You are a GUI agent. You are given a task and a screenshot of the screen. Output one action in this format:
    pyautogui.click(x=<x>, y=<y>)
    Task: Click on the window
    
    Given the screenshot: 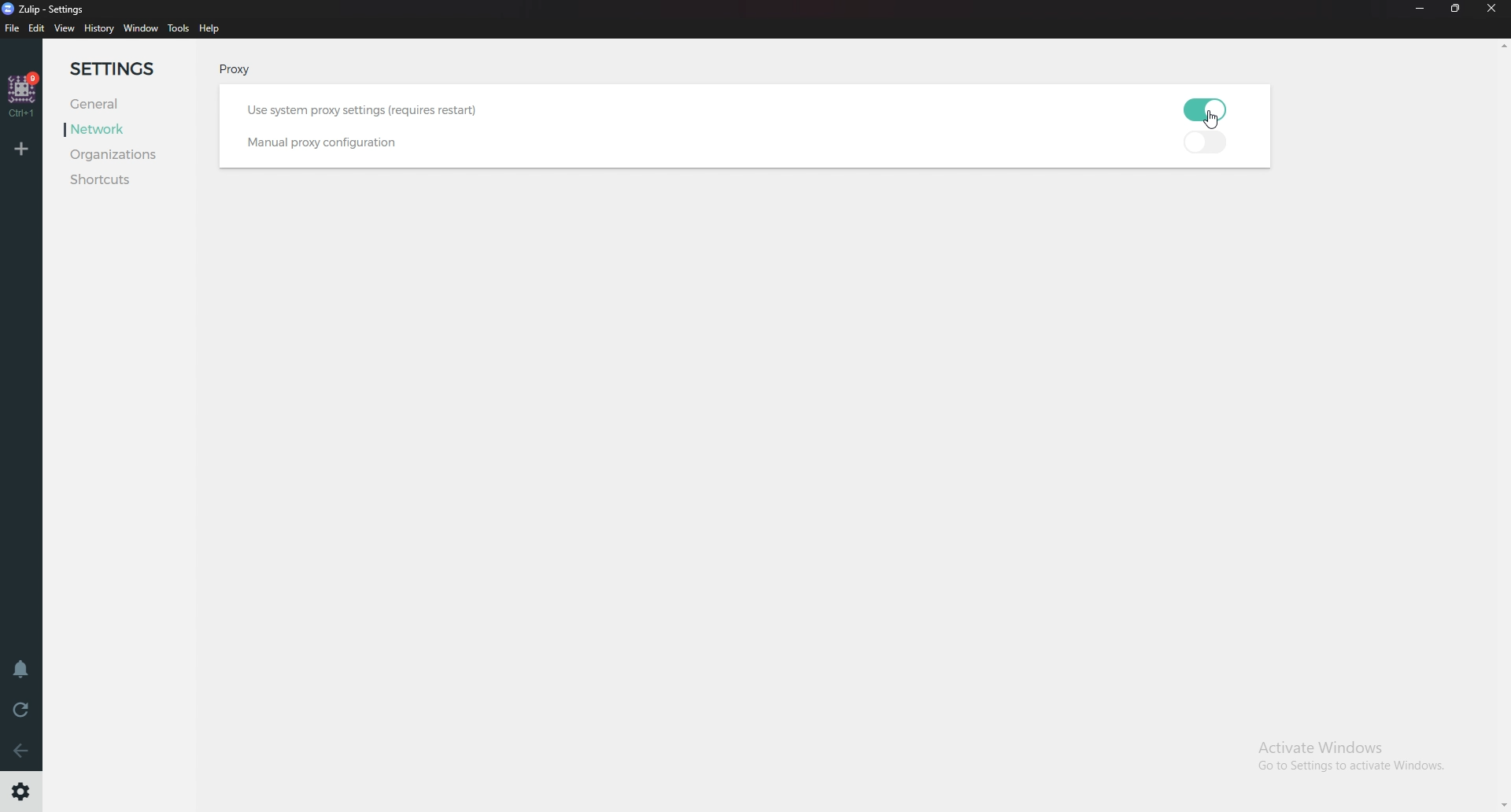 What is the action you would take?
    pyautogui.click(x=140, y=28)
    